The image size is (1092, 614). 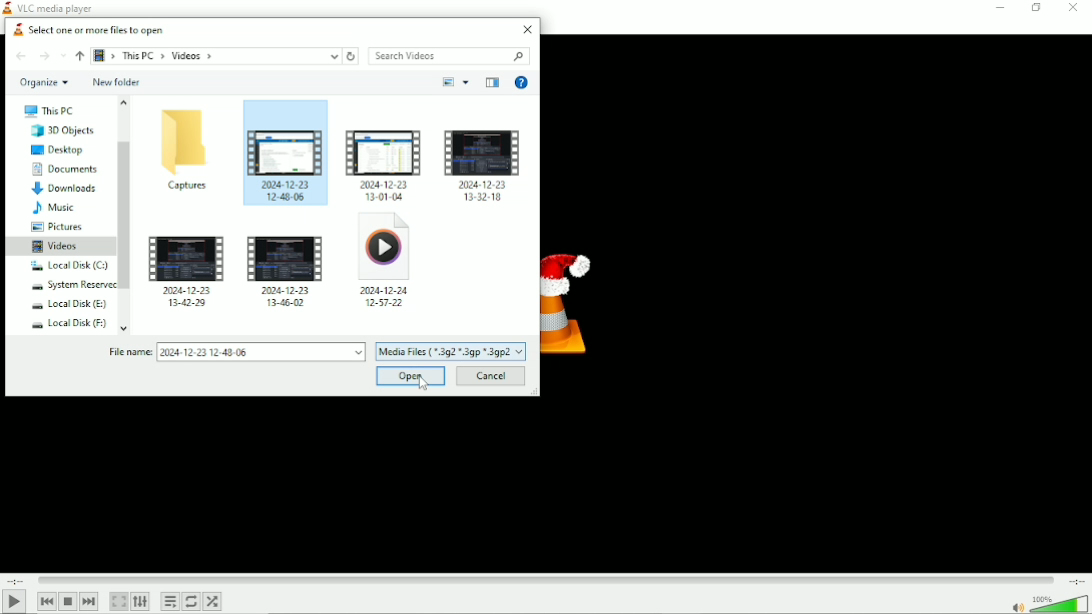 I want to click on Location, so click(x=217, y=55).